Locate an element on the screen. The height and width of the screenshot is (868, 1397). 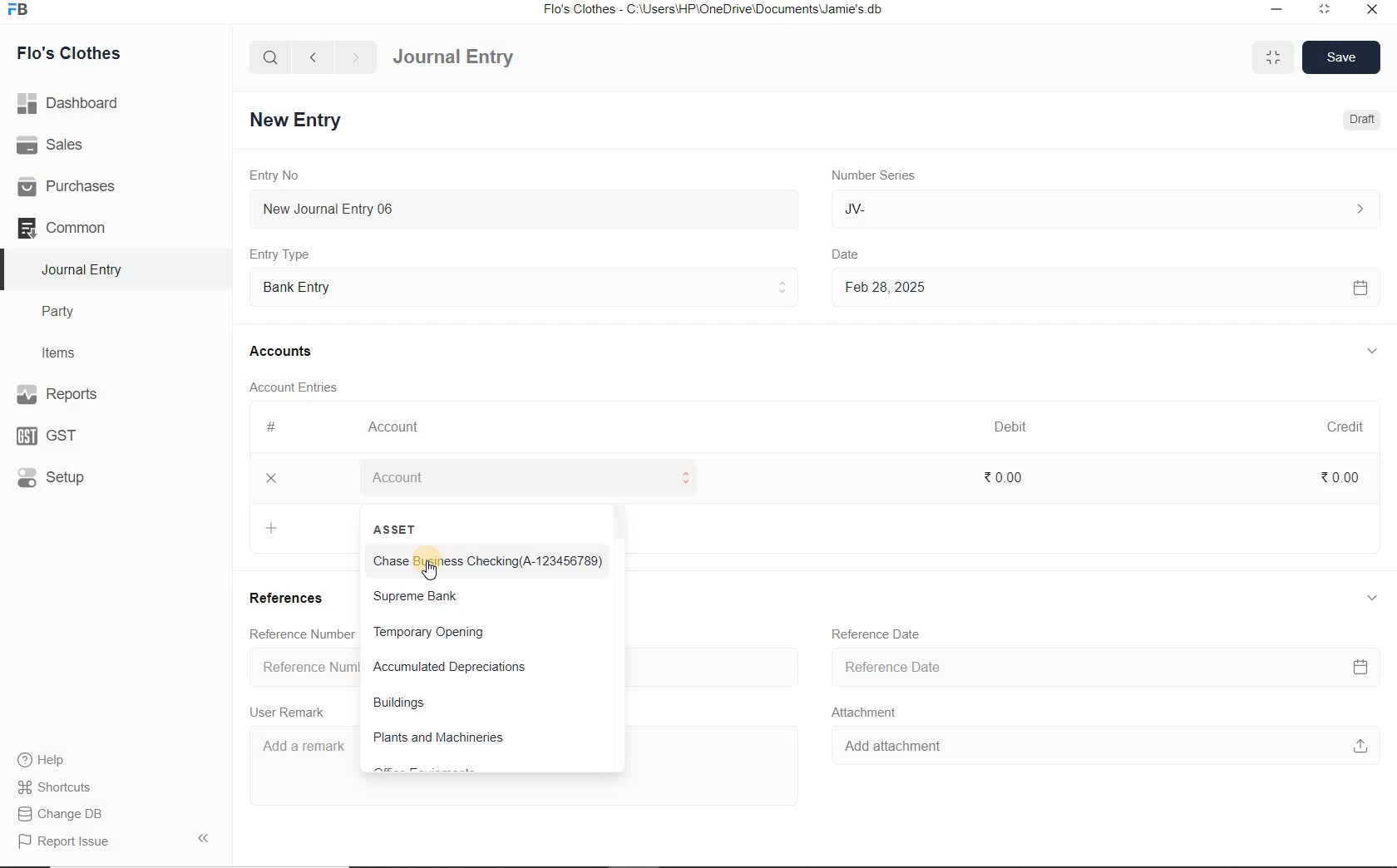
# is located at coordinates (272, 427).